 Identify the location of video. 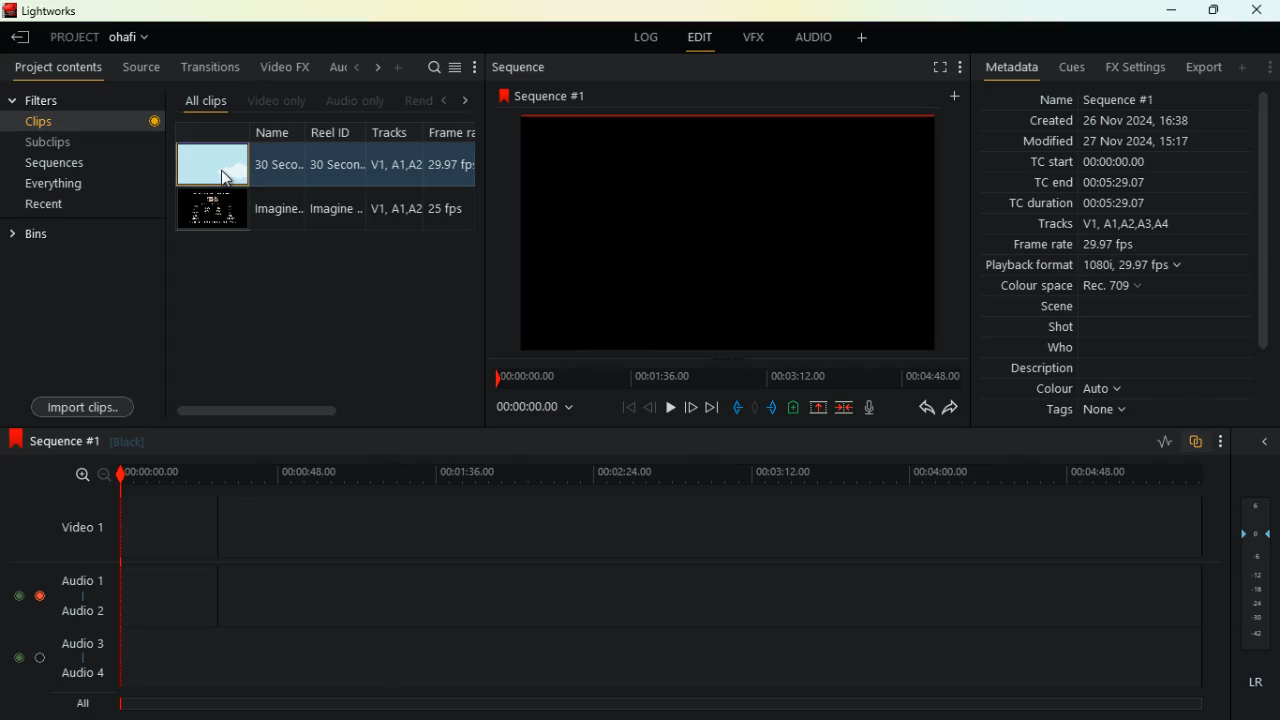
(208, 163).